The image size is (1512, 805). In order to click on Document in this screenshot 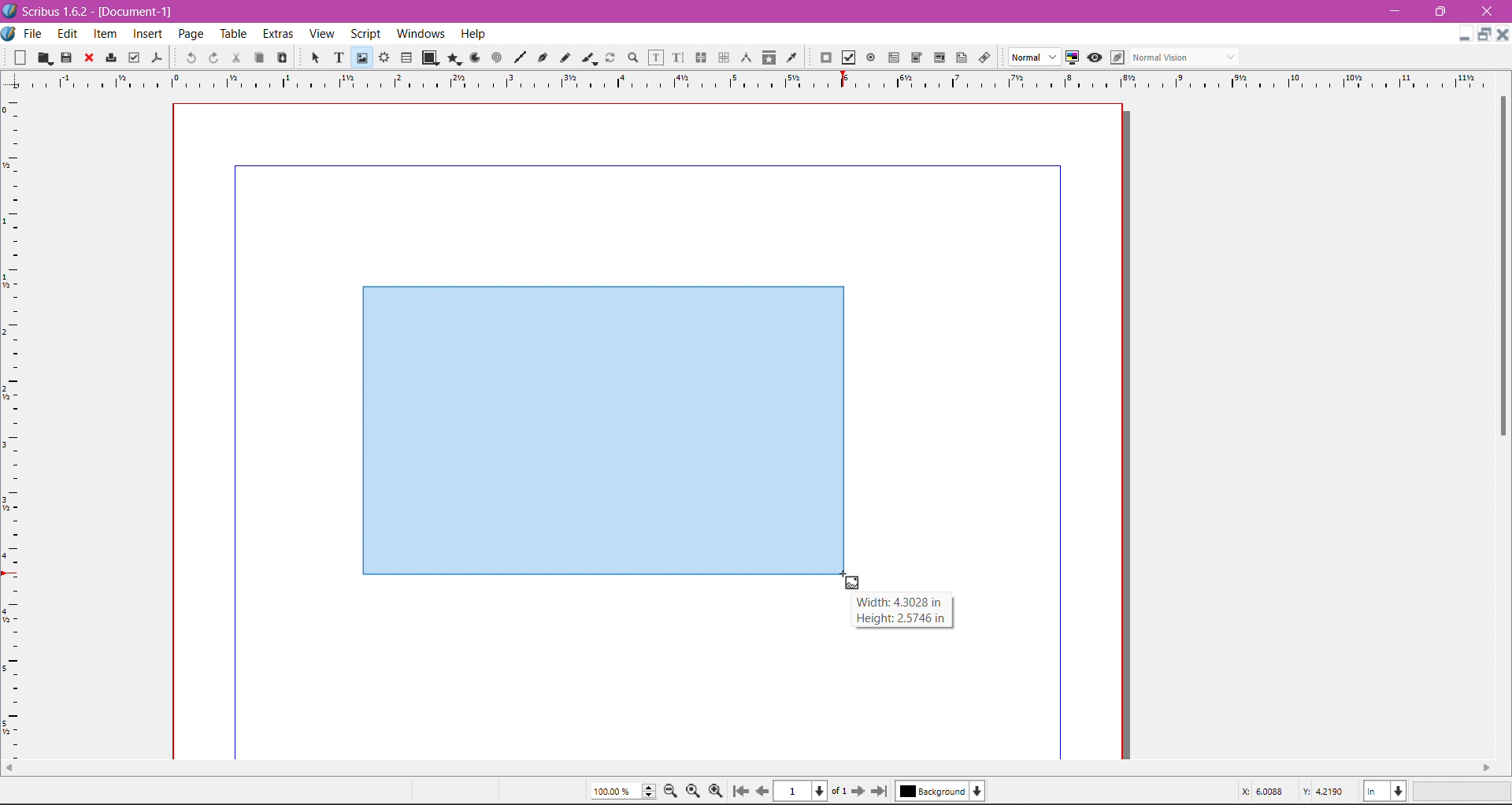, I will do `click(9, 35)`.